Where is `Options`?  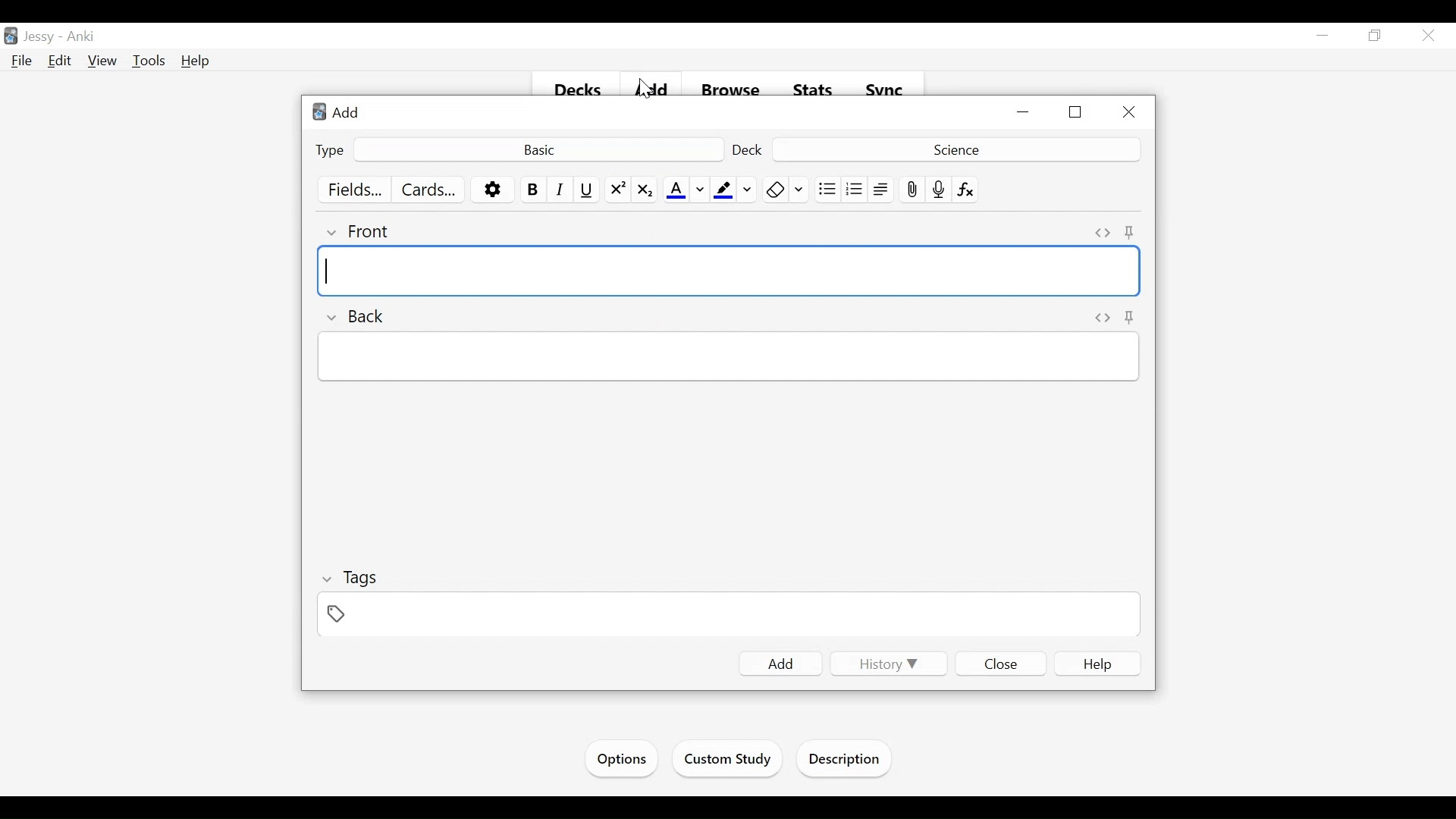
Options is located at coordinates (493, 190).